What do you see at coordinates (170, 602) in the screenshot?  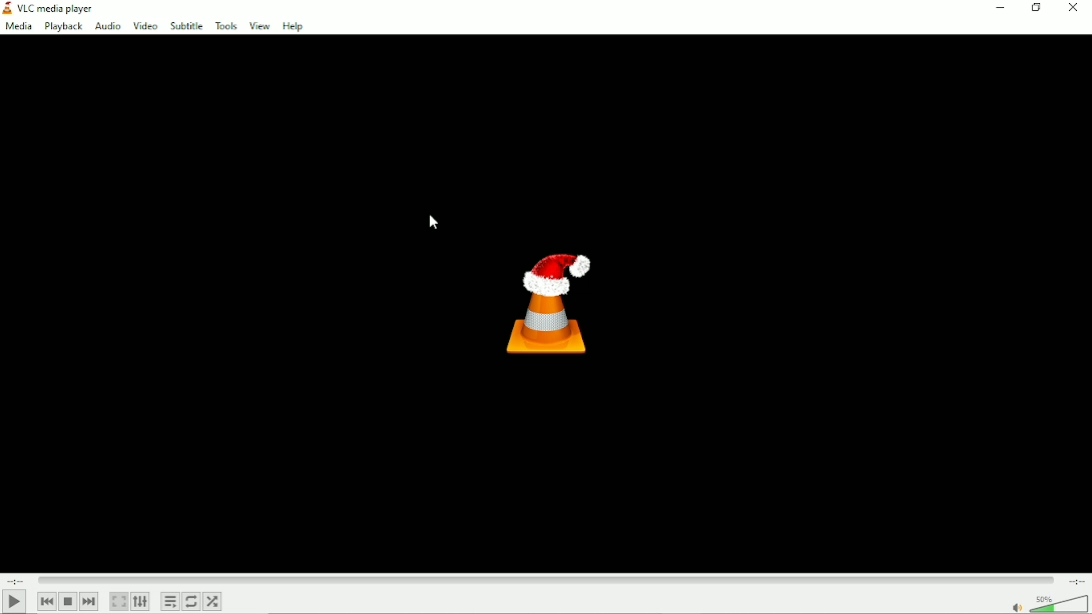 I see `Toggle playlist` at bounding box center [170, 602].